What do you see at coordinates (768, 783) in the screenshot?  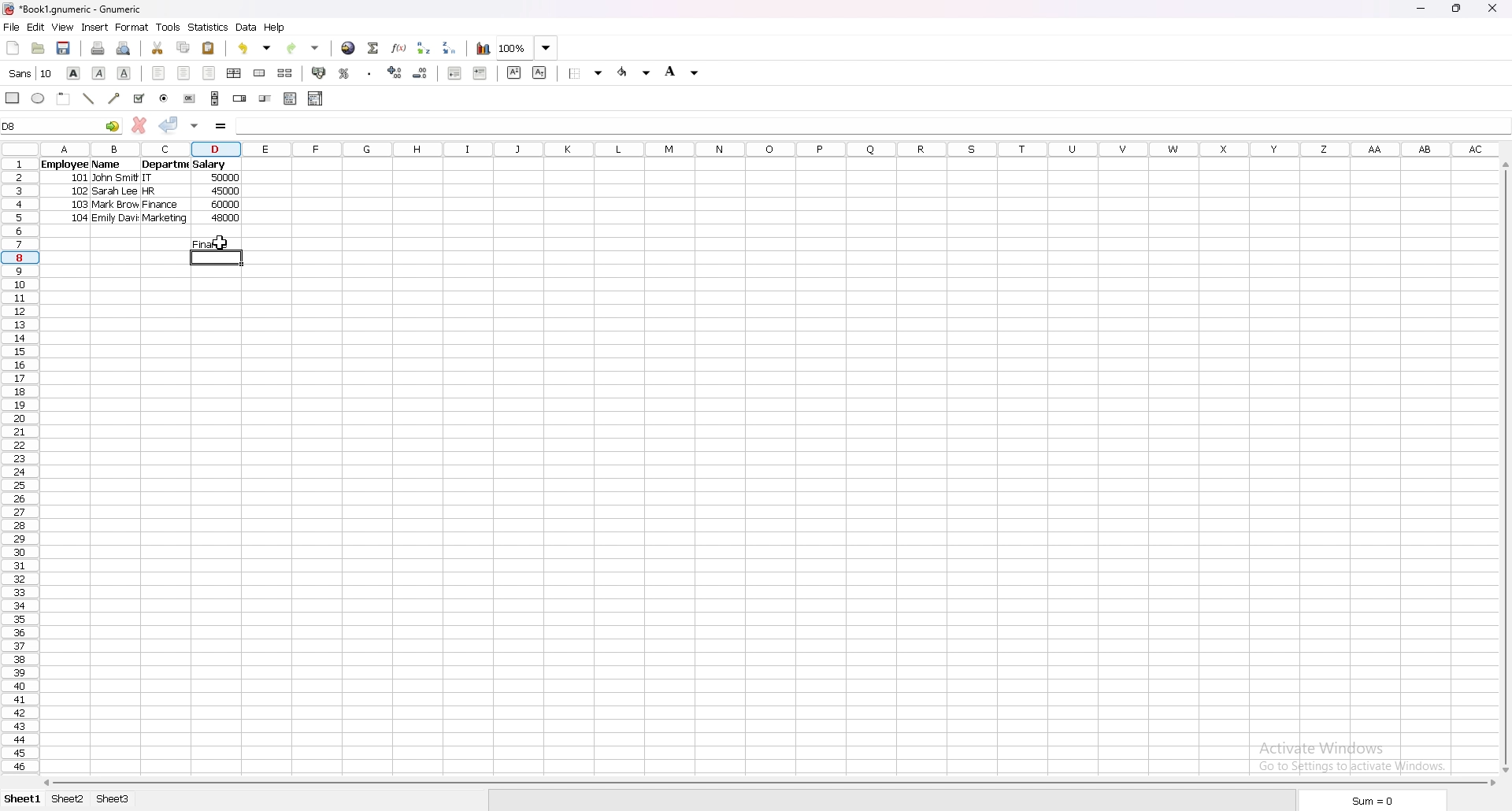 I see `scroll bar` at bounding box center [768, 783].